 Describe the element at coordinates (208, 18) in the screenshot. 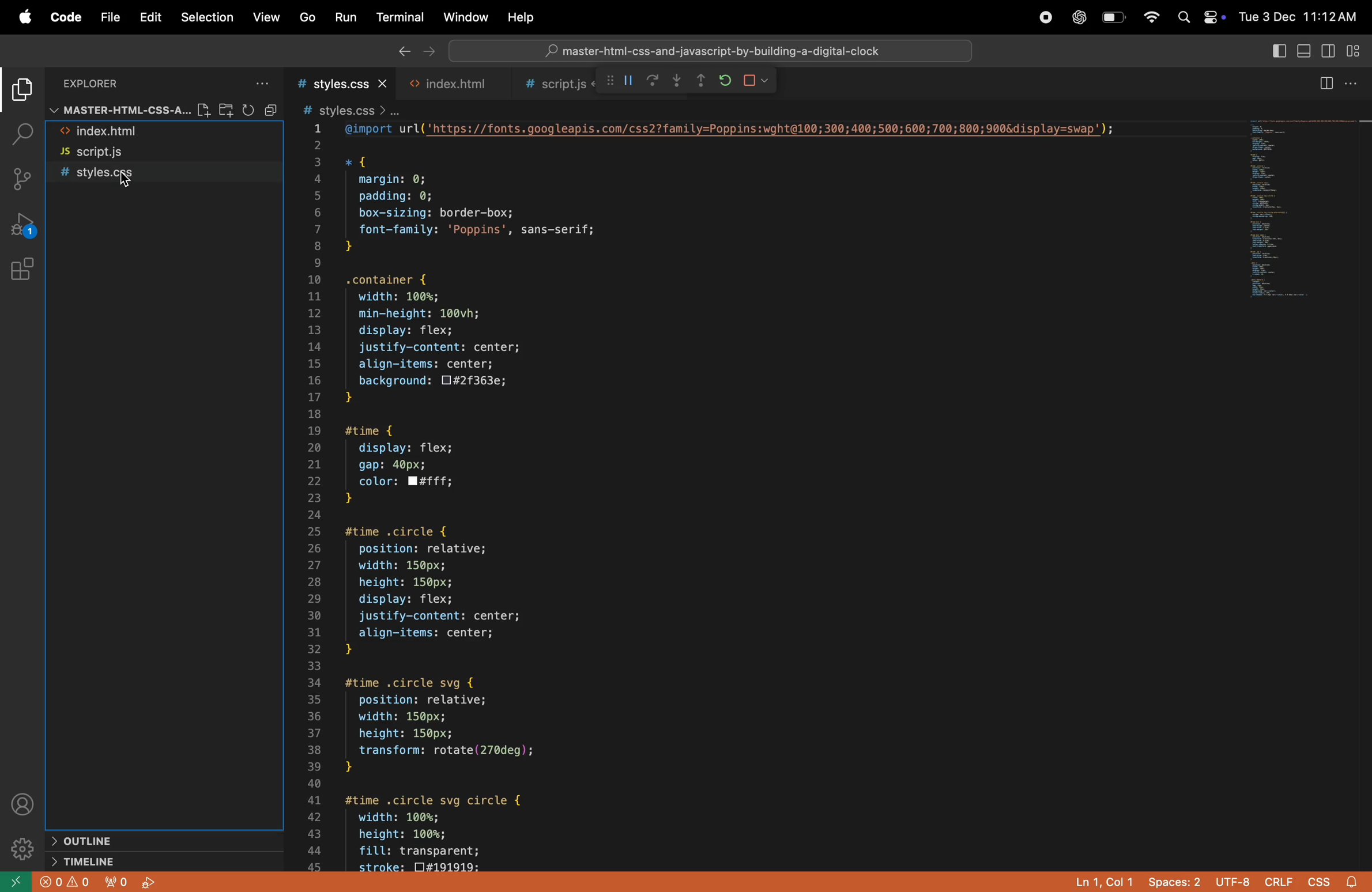

I see `selection` at that location.